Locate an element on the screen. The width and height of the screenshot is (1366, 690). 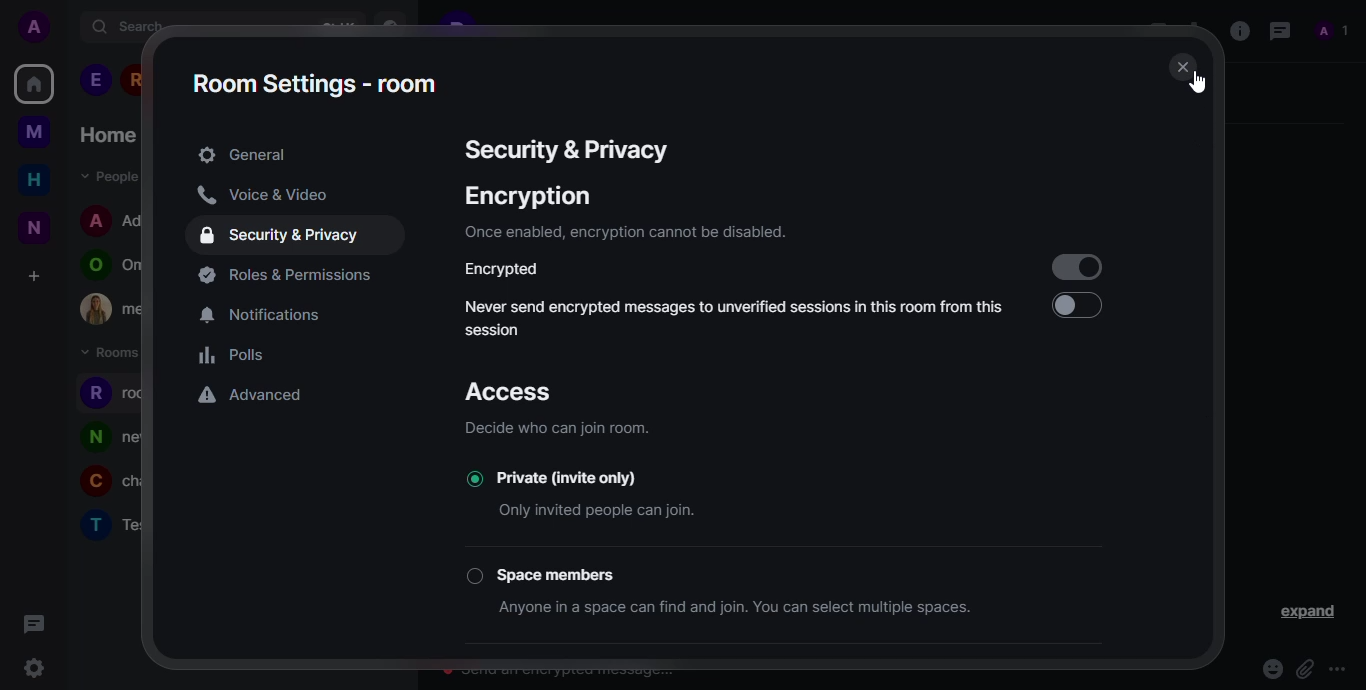
Soace members button is located at coordinates (548, 576).